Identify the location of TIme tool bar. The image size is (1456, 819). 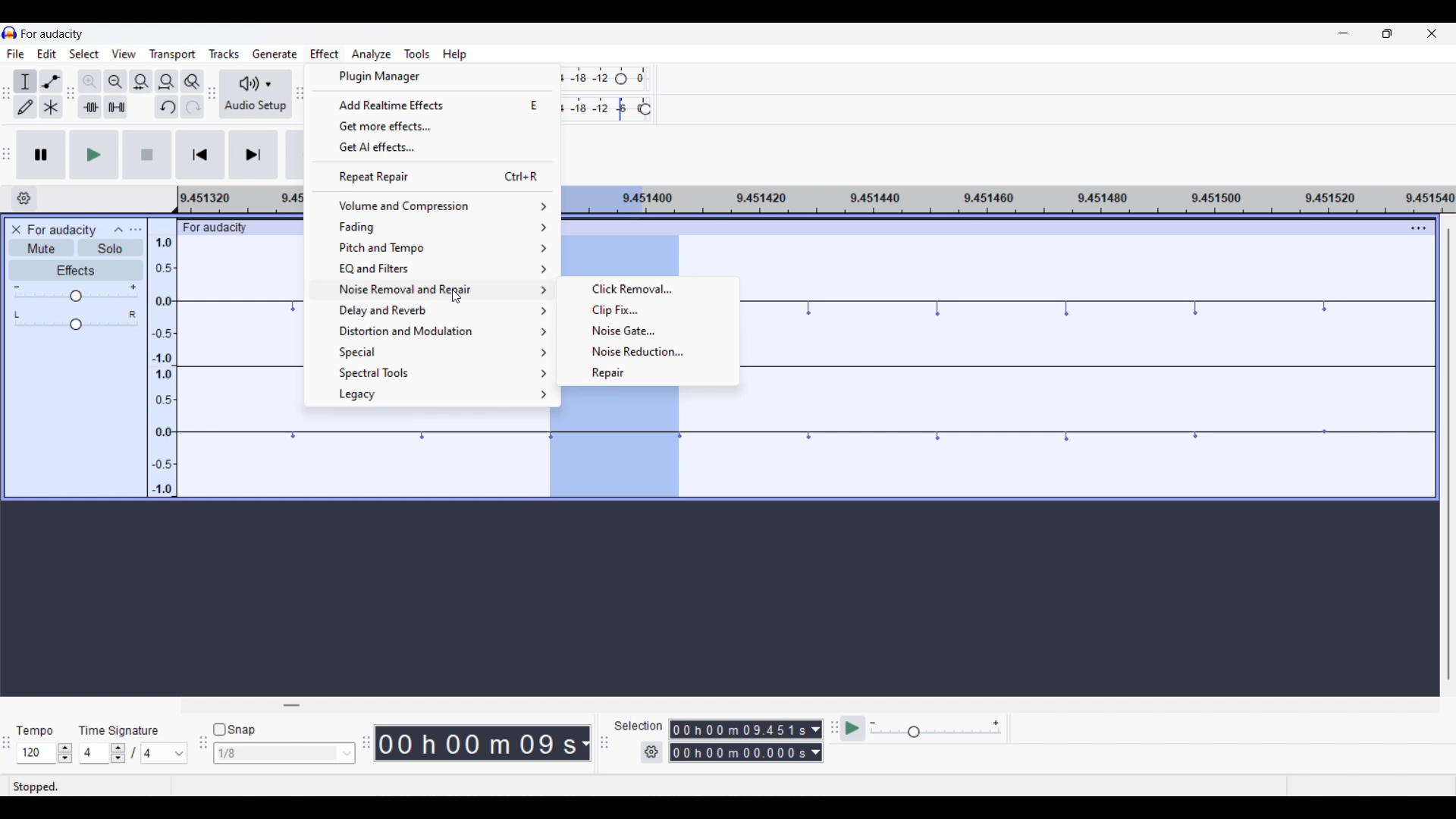
(366, 741).